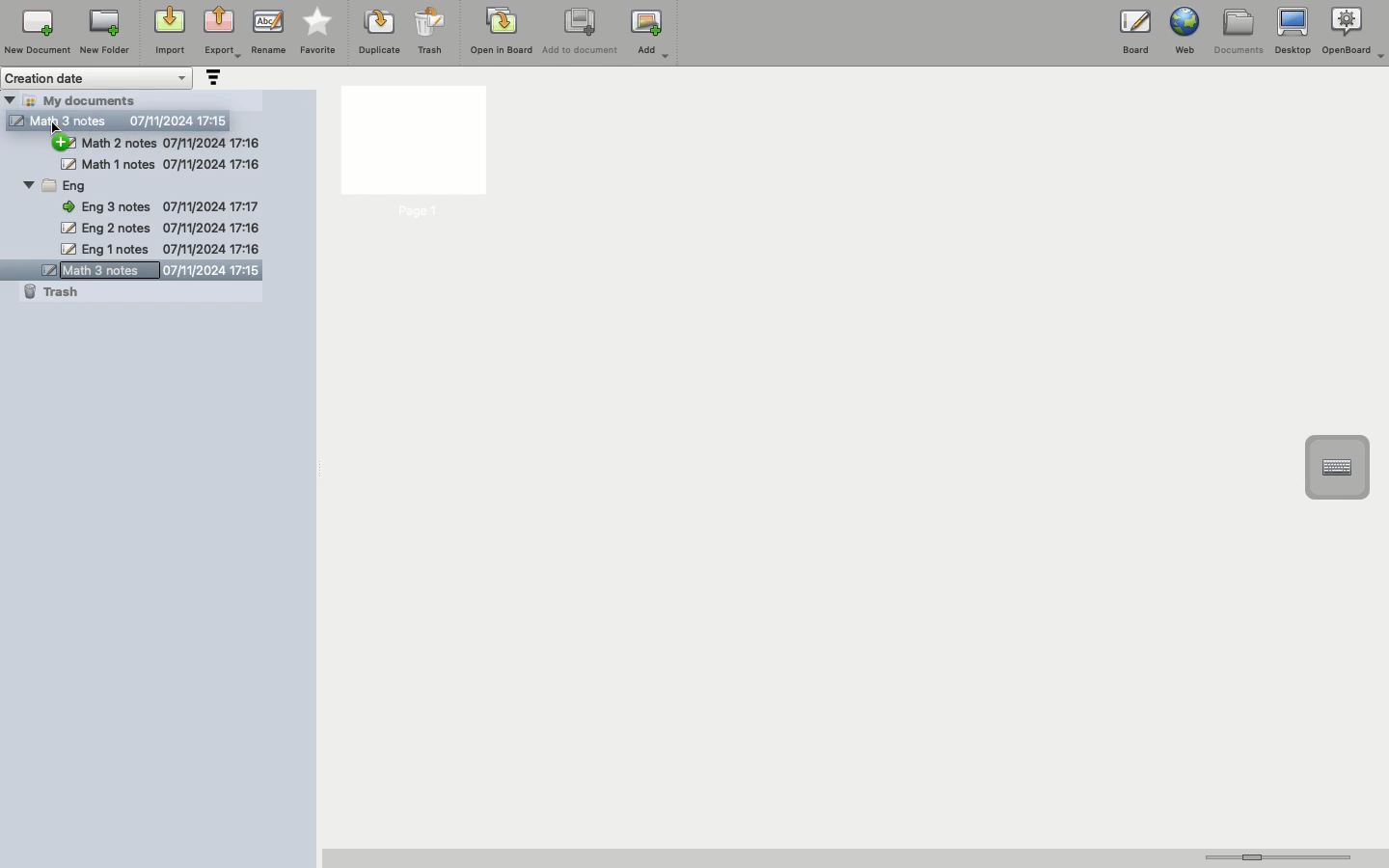 This screenshot has height=868, width=1389. Describe the element at coordinates (652, 34) in the screenshot. I see `Ad` at that location.